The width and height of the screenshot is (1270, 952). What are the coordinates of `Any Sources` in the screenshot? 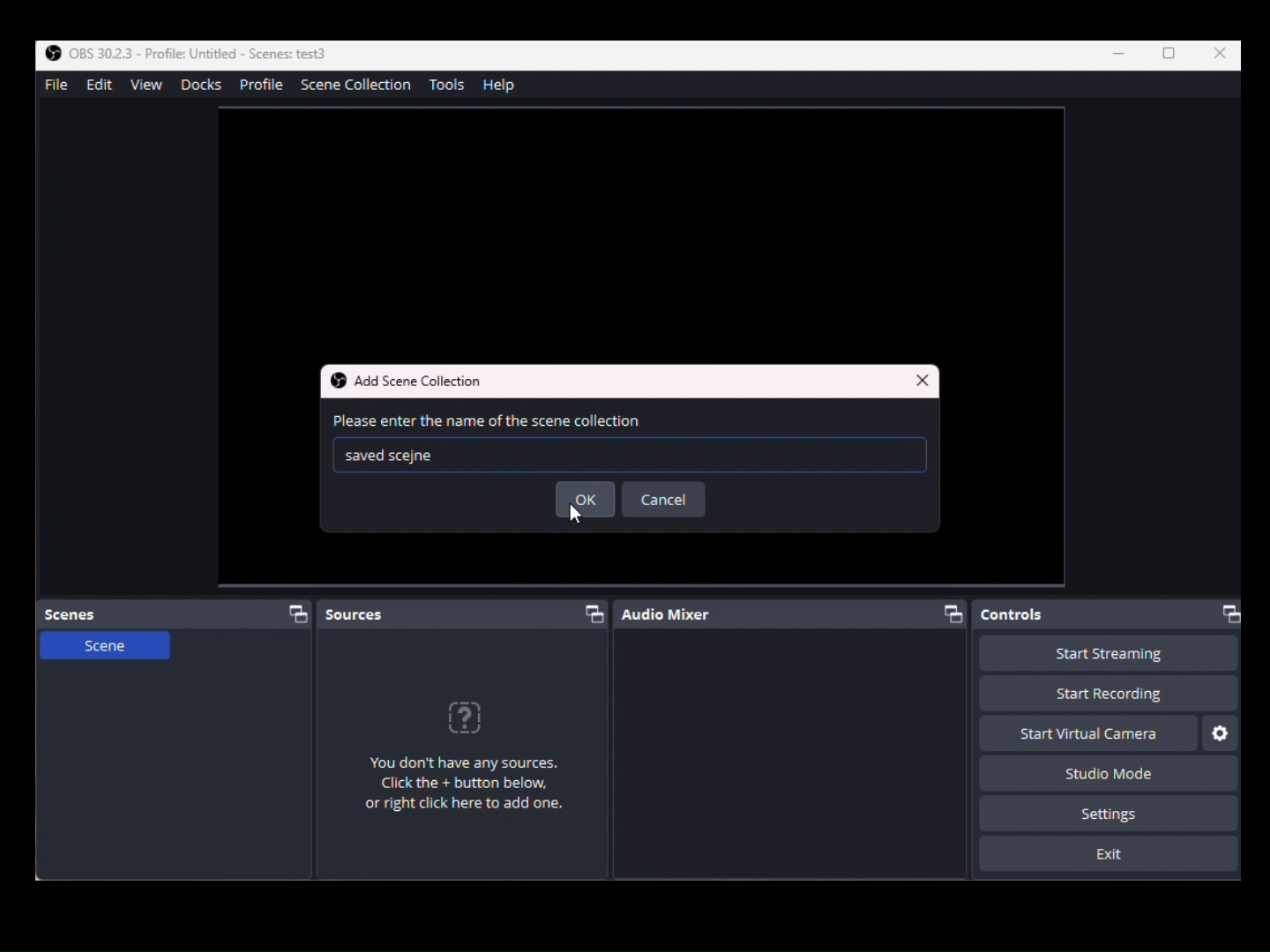 It's located at (475, 762).